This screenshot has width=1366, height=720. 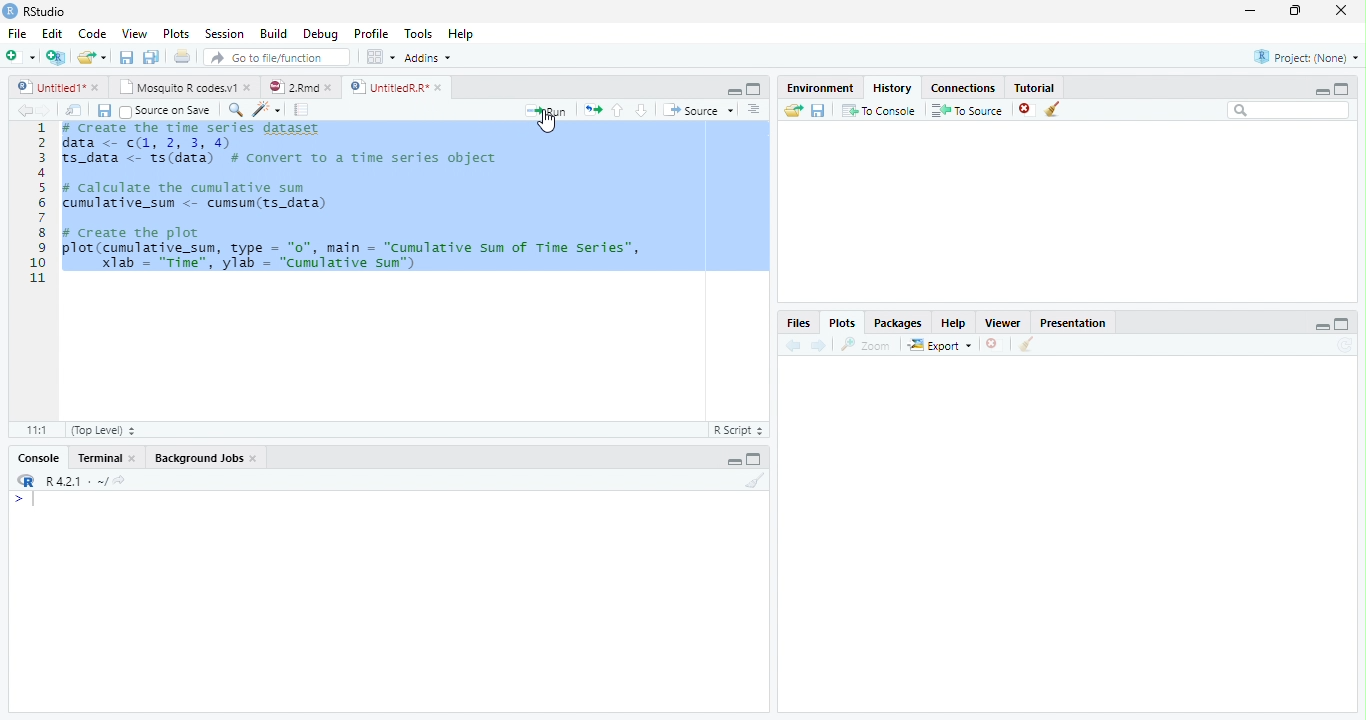 What do you see at coordinates (95, 35) in the screenshot?
I see `Code` at bounding box center [95, 35].